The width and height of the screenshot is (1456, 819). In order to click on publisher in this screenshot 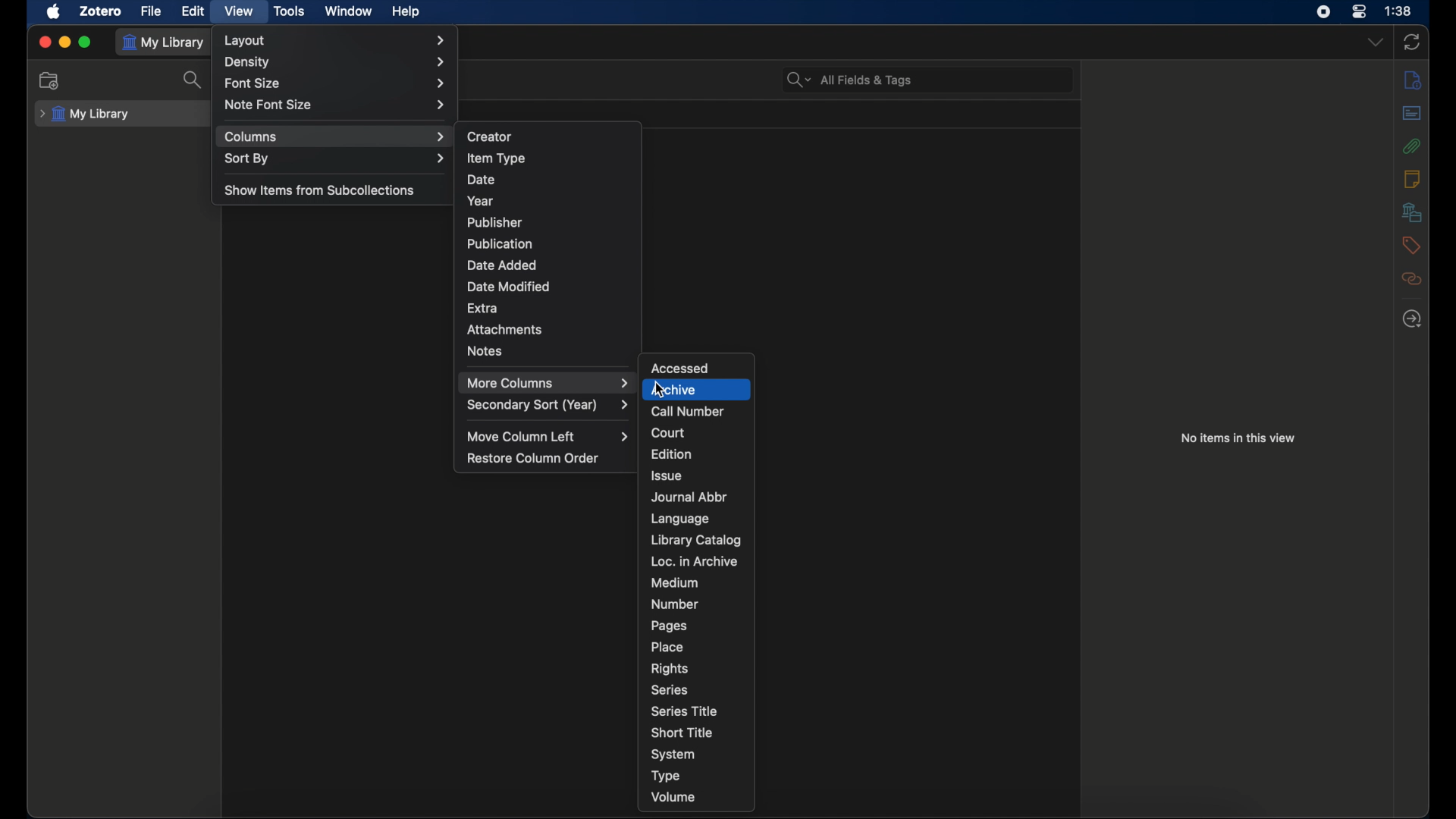, I will do `click(496, 221)`.